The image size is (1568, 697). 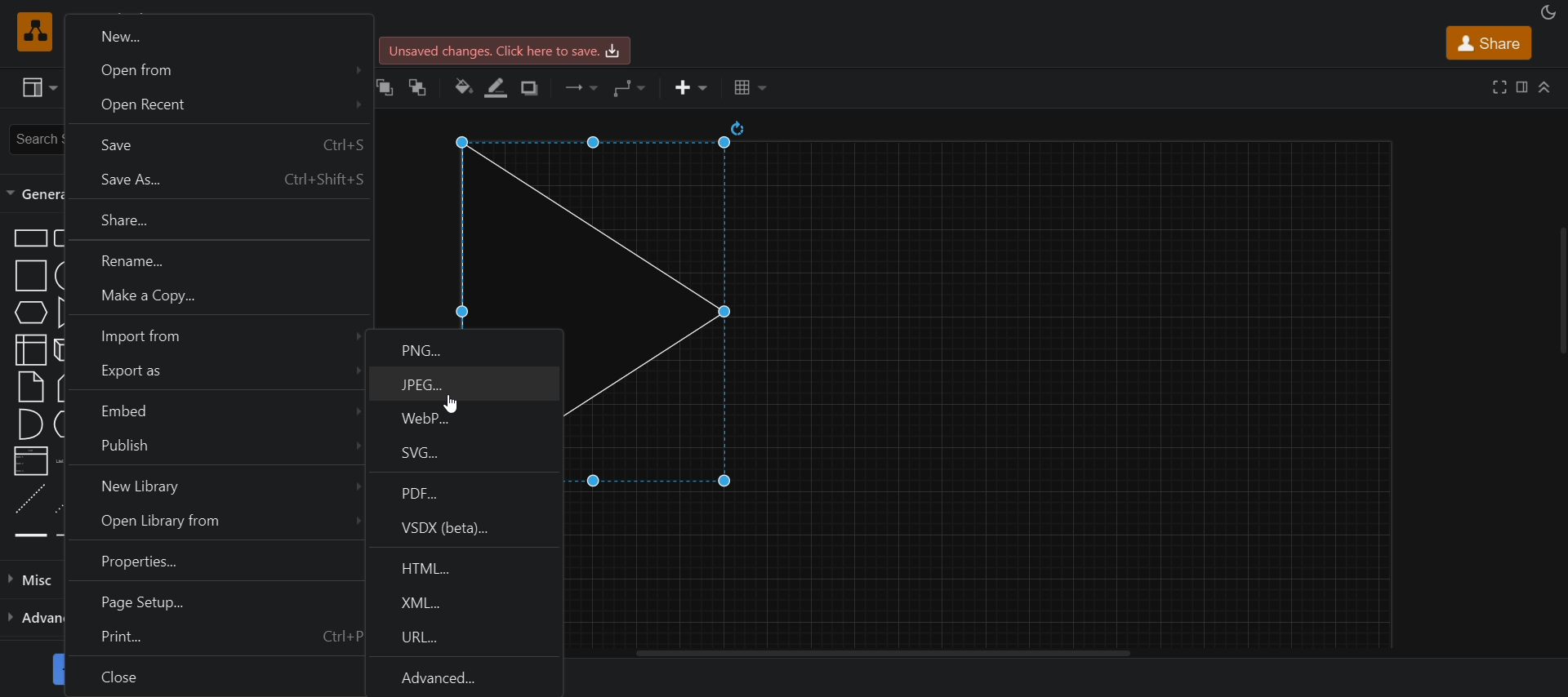 I want to click on dashed line, so click(x=30, y=498).